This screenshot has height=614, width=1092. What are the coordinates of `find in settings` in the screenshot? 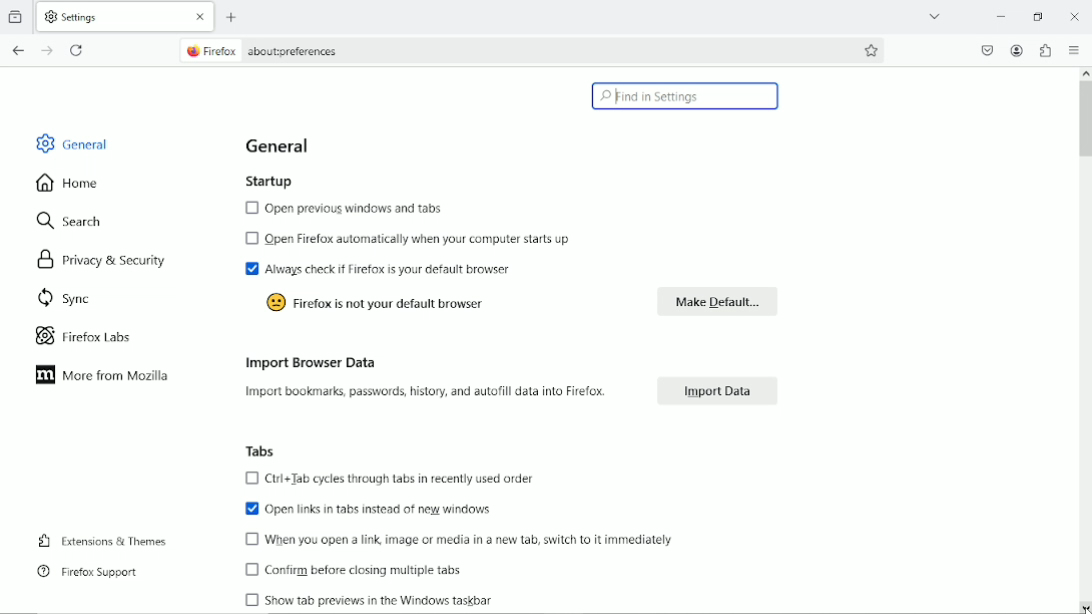 It's located at (685, 97).